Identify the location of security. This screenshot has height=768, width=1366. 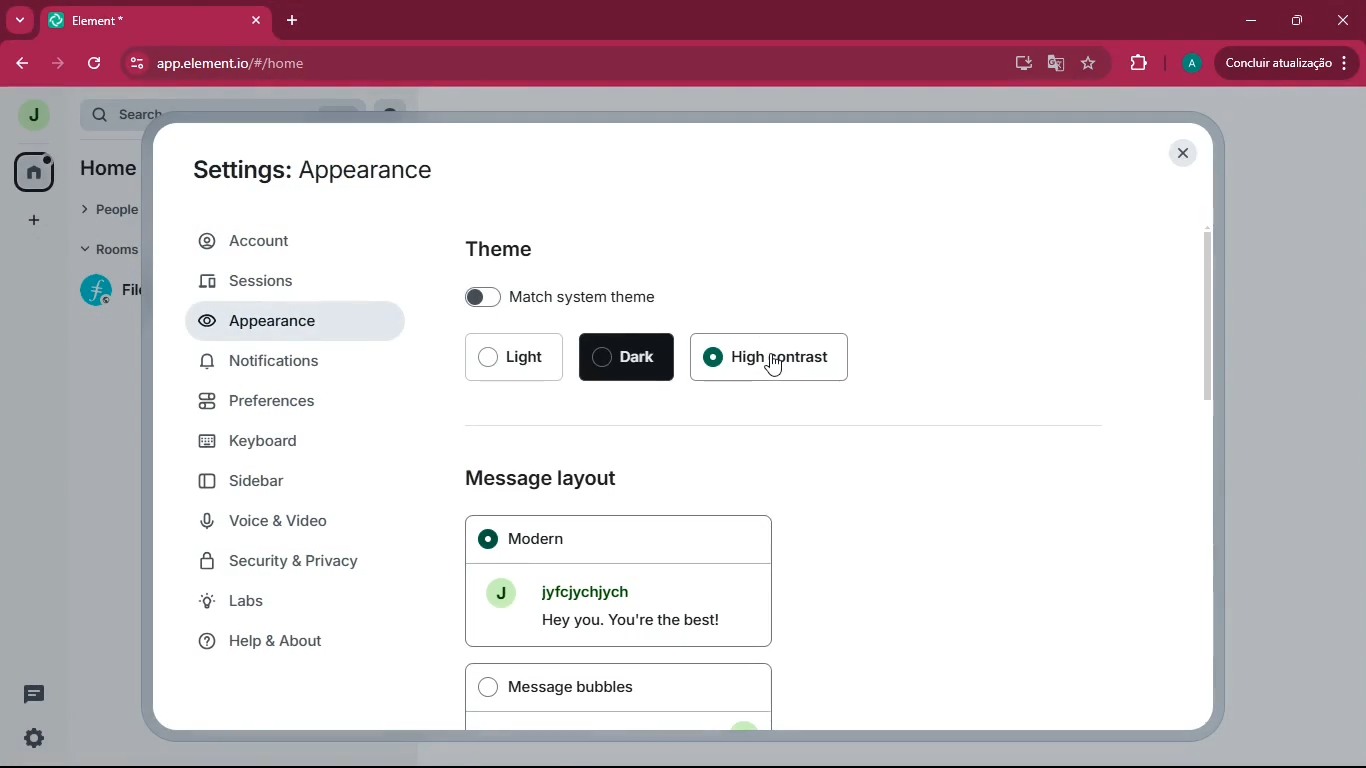
(301, 562).